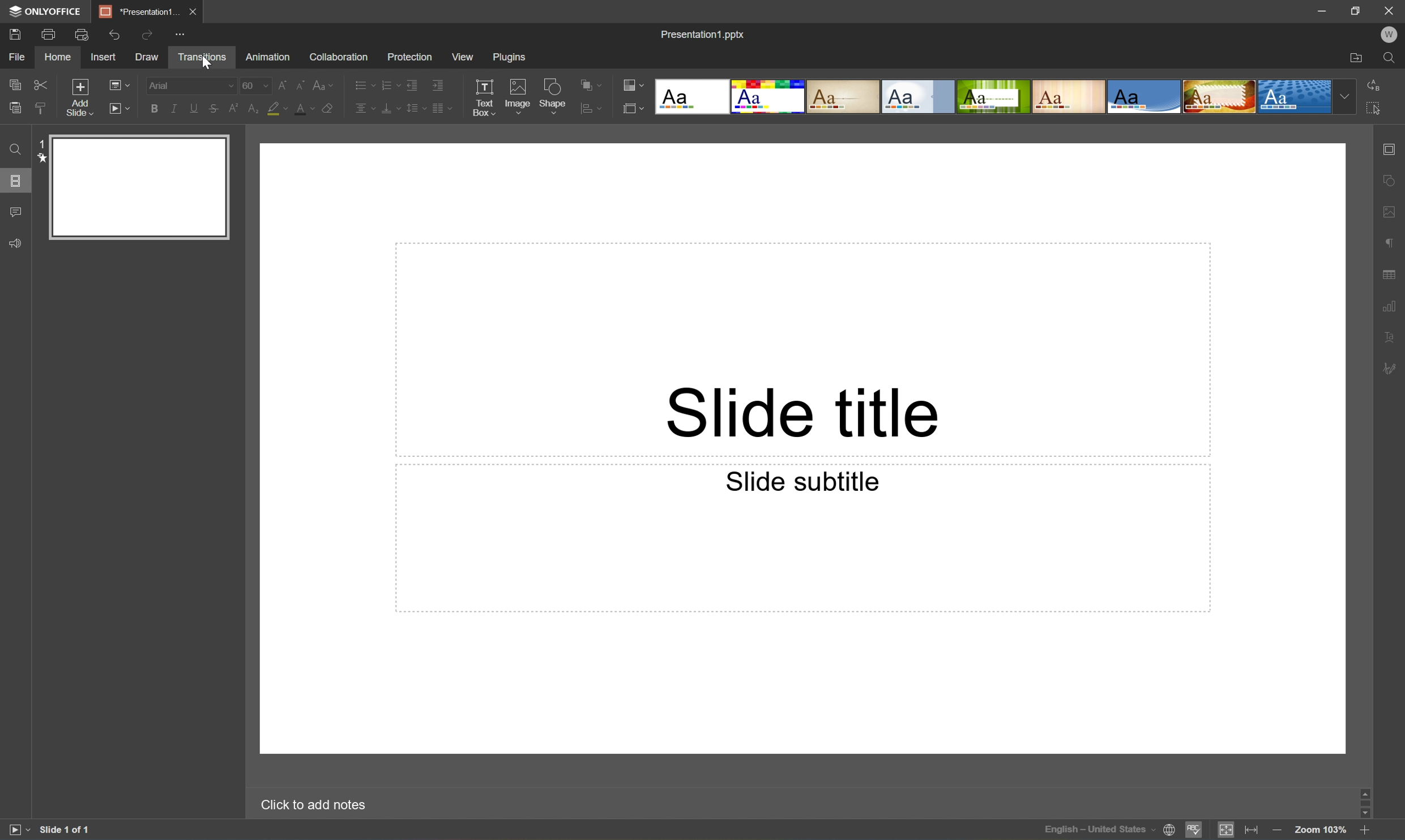 This screenshot has width=1405, height=840. Describe the element at coordinates (1387, 180) in the screenshot. I see `Shape settings` at that location.